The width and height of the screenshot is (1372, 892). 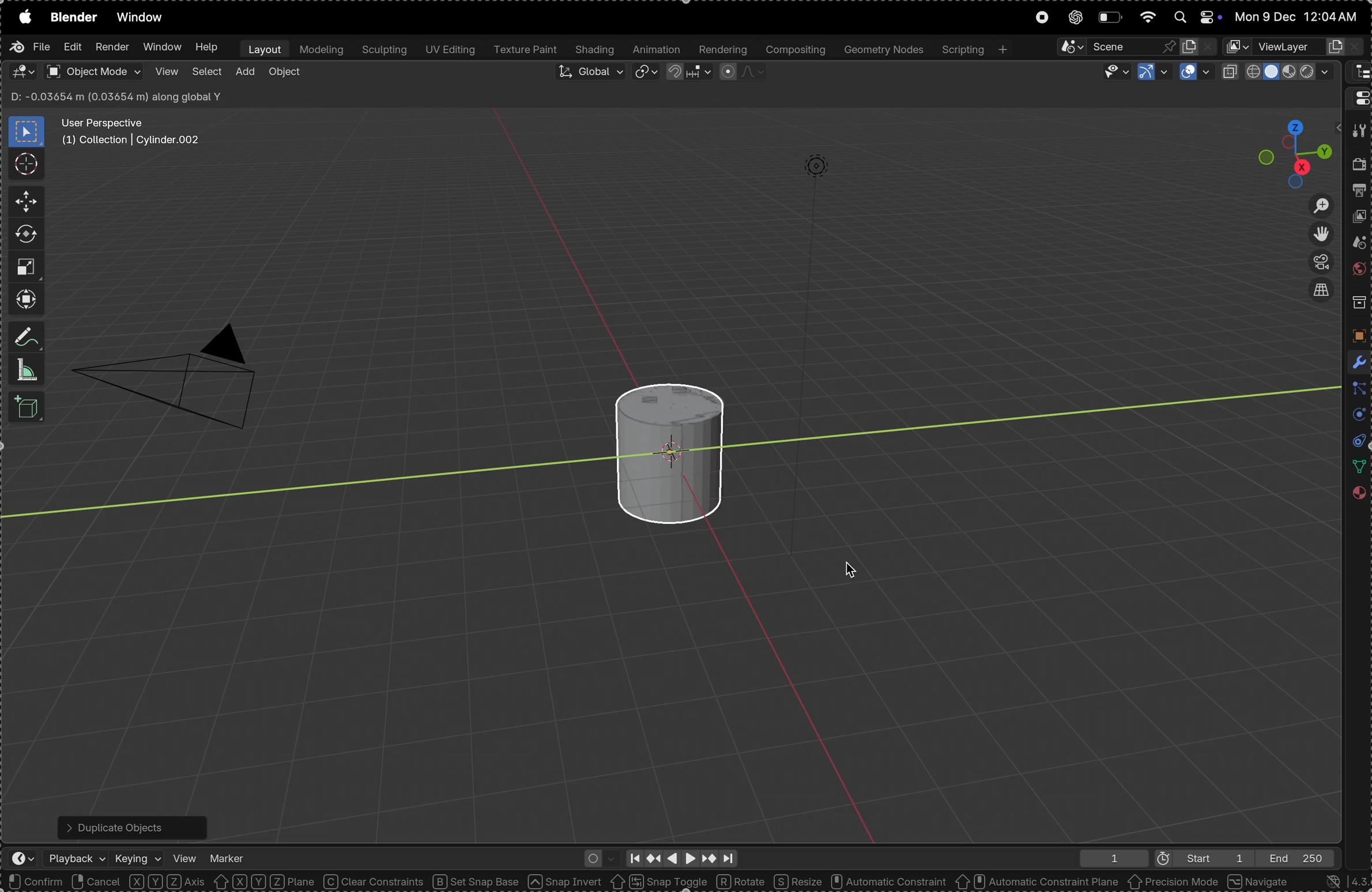 I want to click on Geometry notes, so click(x=882, y=49).